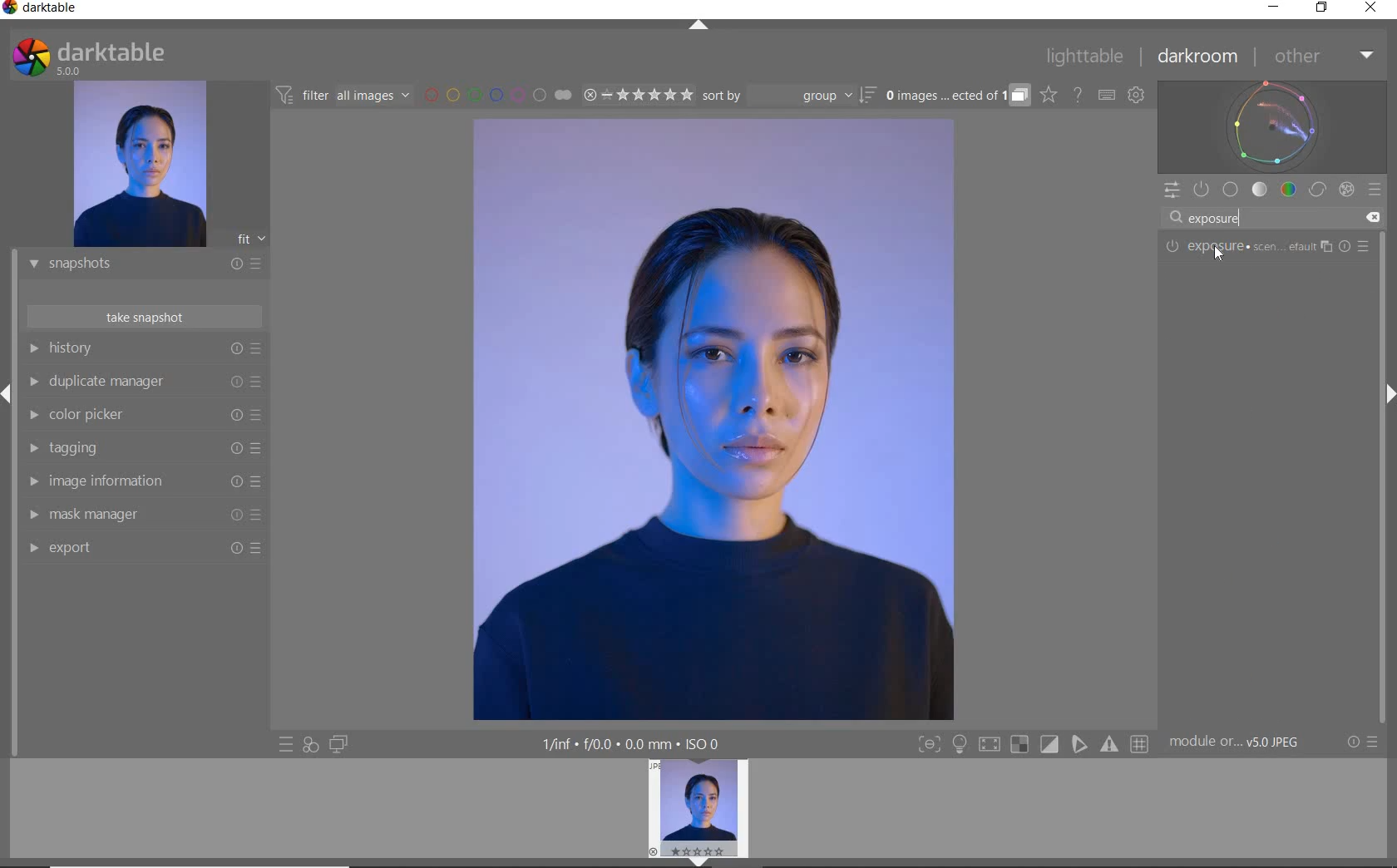  I want to click on DISPLAYED GUI INFO, so click(628, 744).